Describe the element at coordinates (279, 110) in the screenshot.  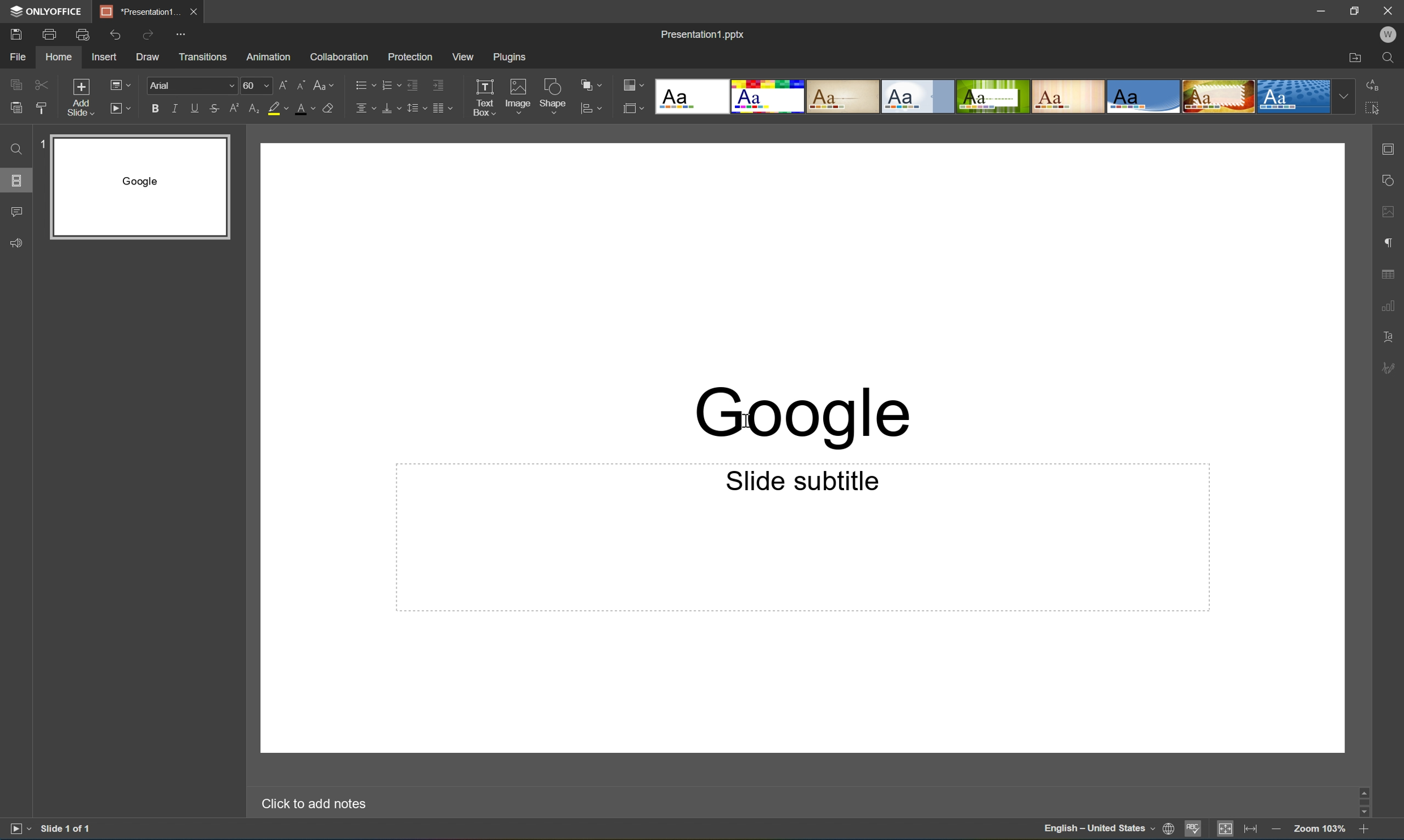
I see `Highlight color` at that location.